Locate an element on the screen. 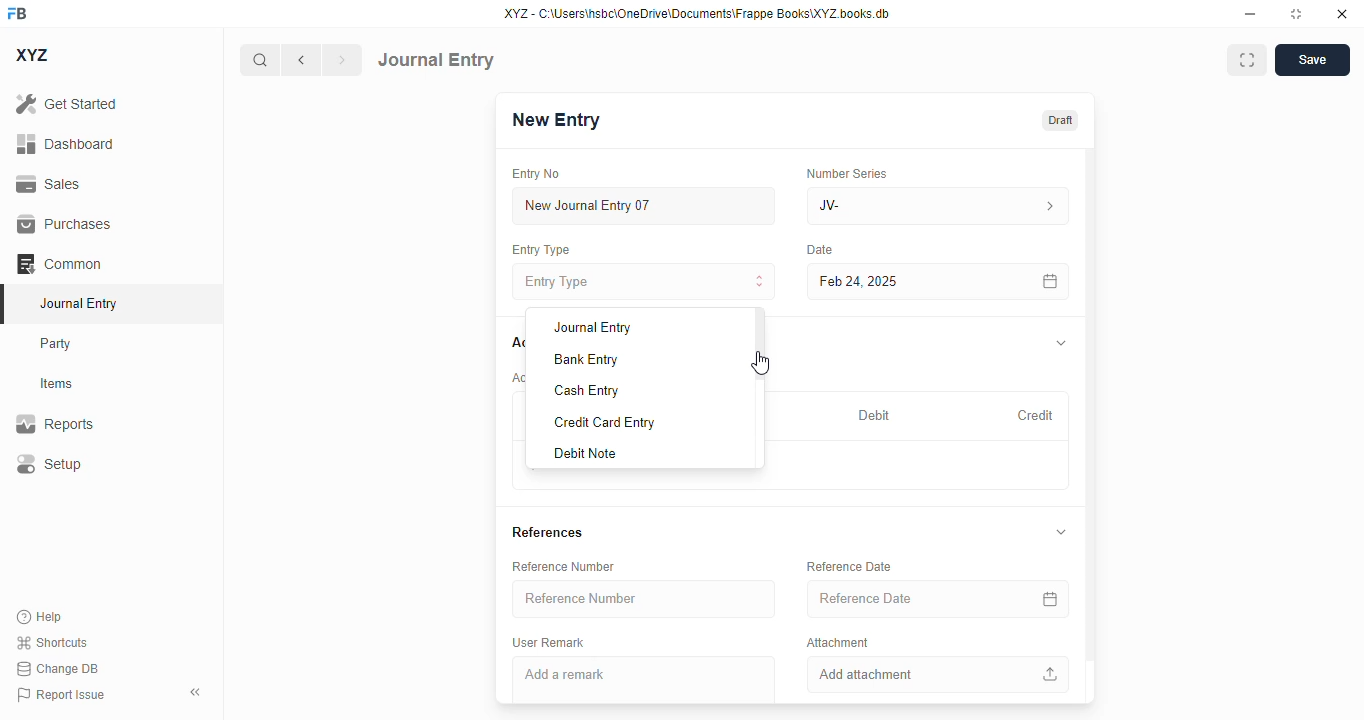 This screenshot has width=1364, height=720. new journal entry 07 is located at coordinates (645, 205).